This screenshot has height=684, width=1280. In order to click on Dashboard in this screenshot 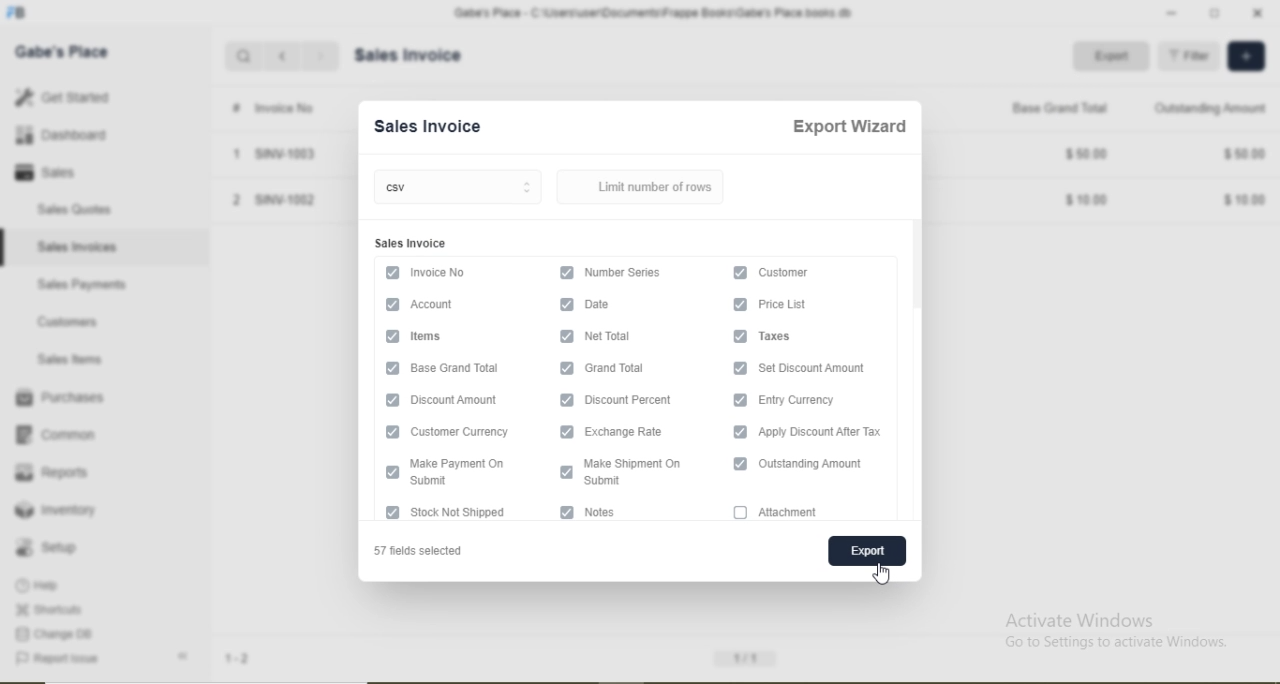, I will do `click(72, 137)`.